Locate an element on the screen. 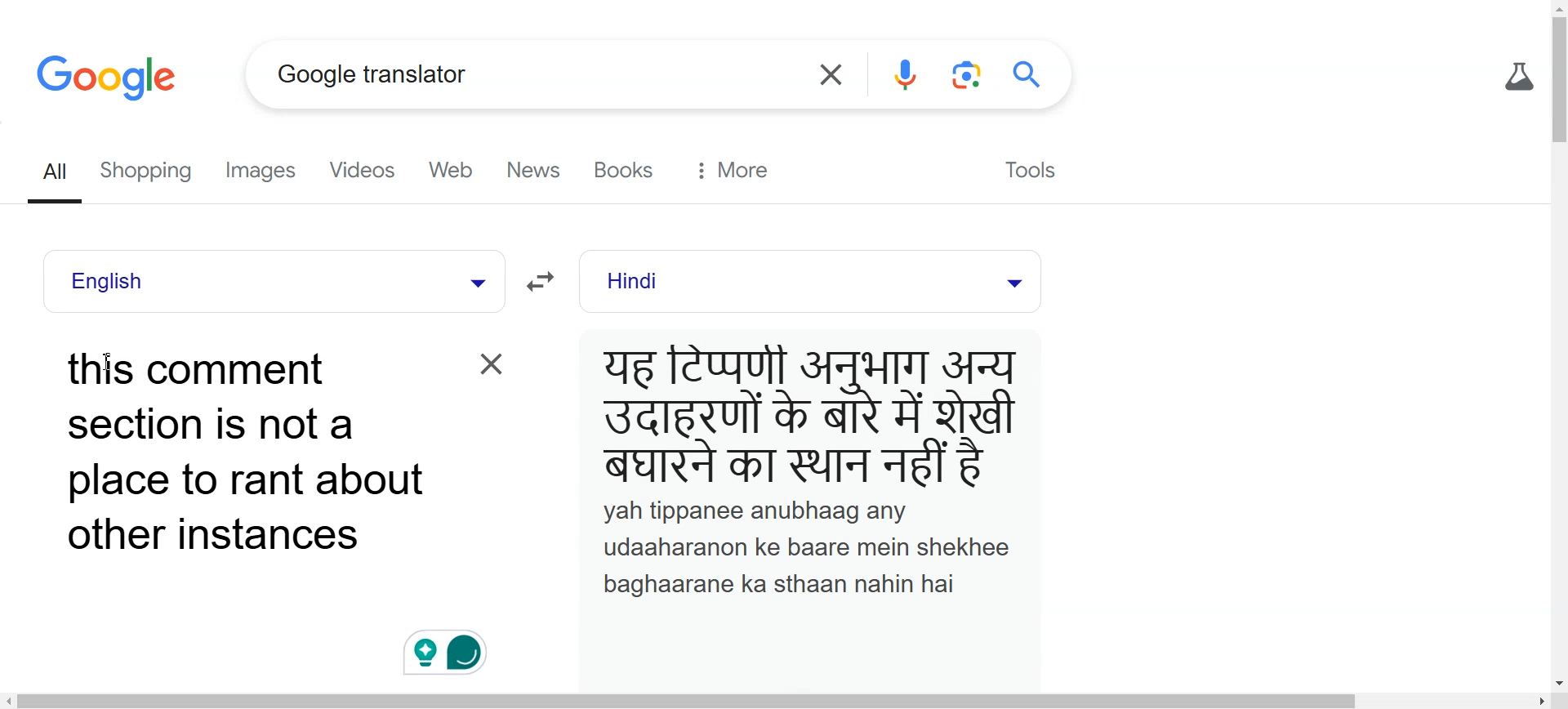  Vertical scroll bar is located at coordinates (1558, 344).